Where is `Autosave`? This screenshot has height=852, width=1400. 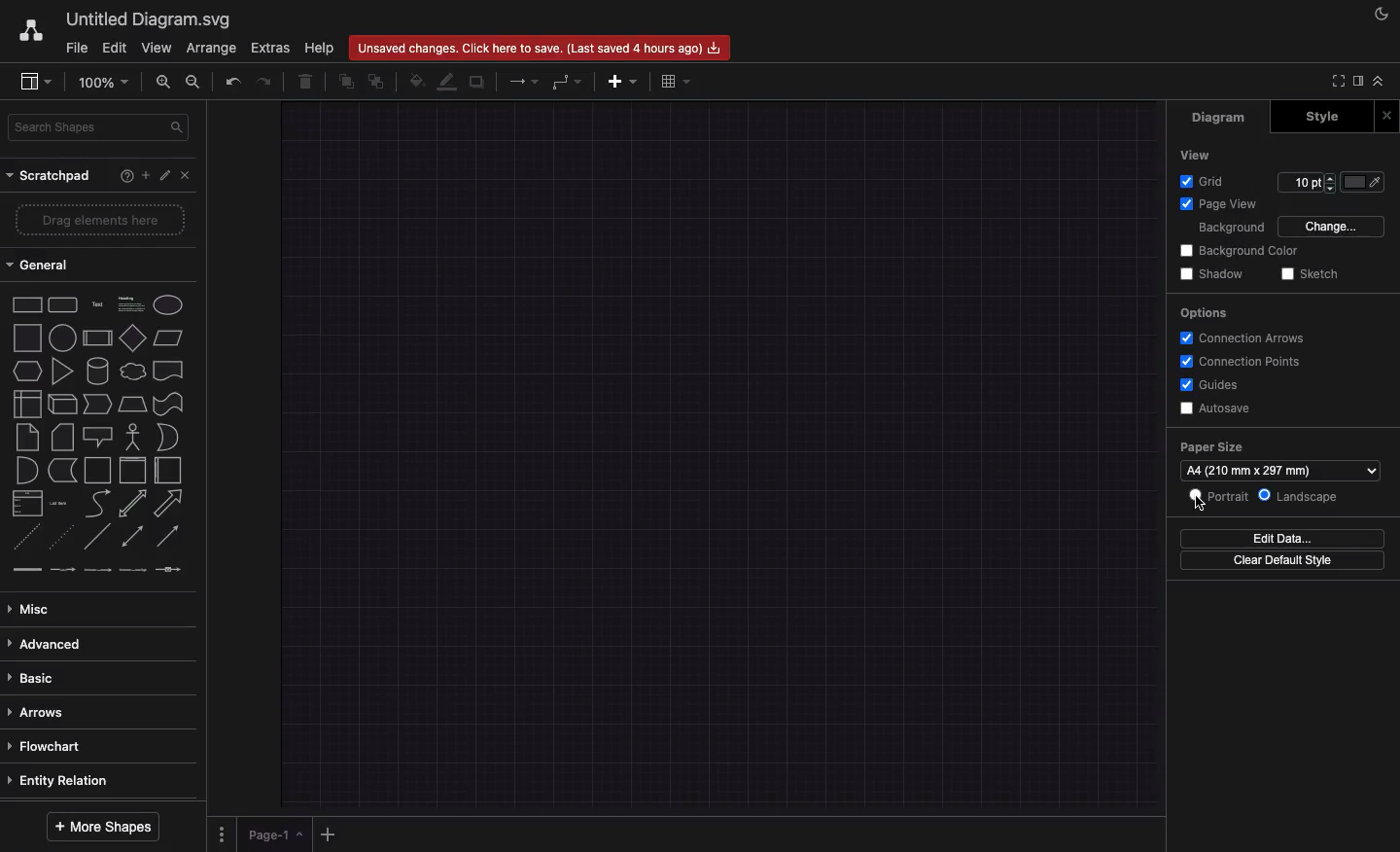 Autosave is located at coordinates (1219, 409).